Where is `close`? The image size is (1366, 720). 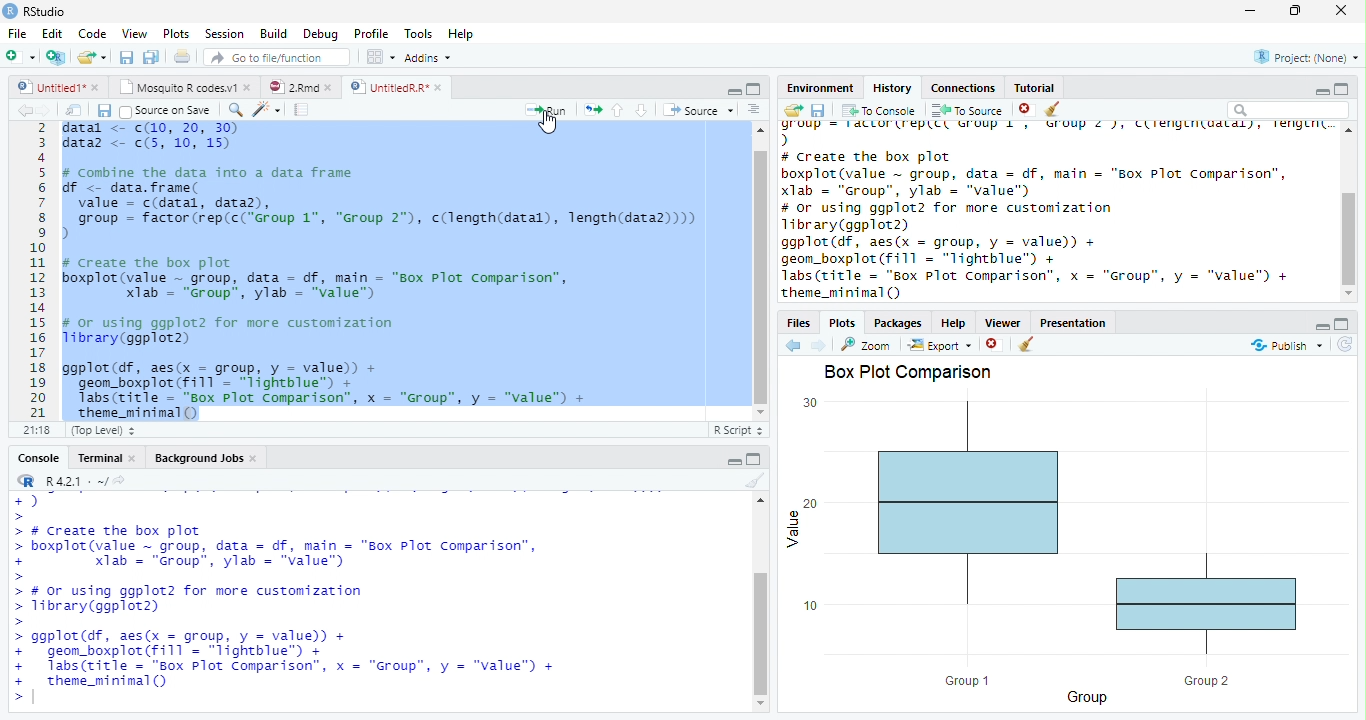
close is located at coordinates (439, 87).